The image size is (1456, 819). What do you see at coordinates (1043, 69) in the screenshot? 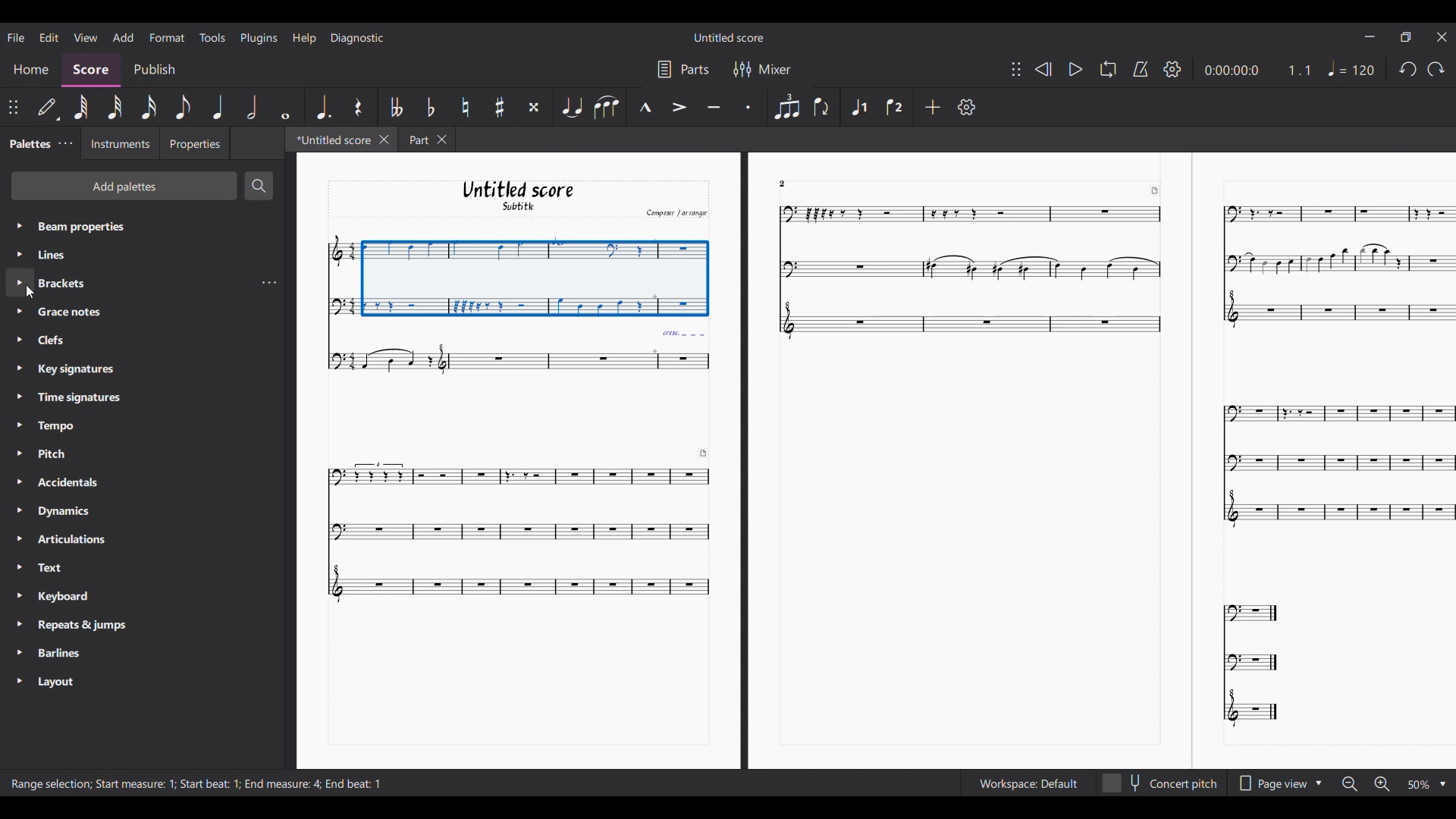
I see `Rewind` at bounding box center [1043, 69].